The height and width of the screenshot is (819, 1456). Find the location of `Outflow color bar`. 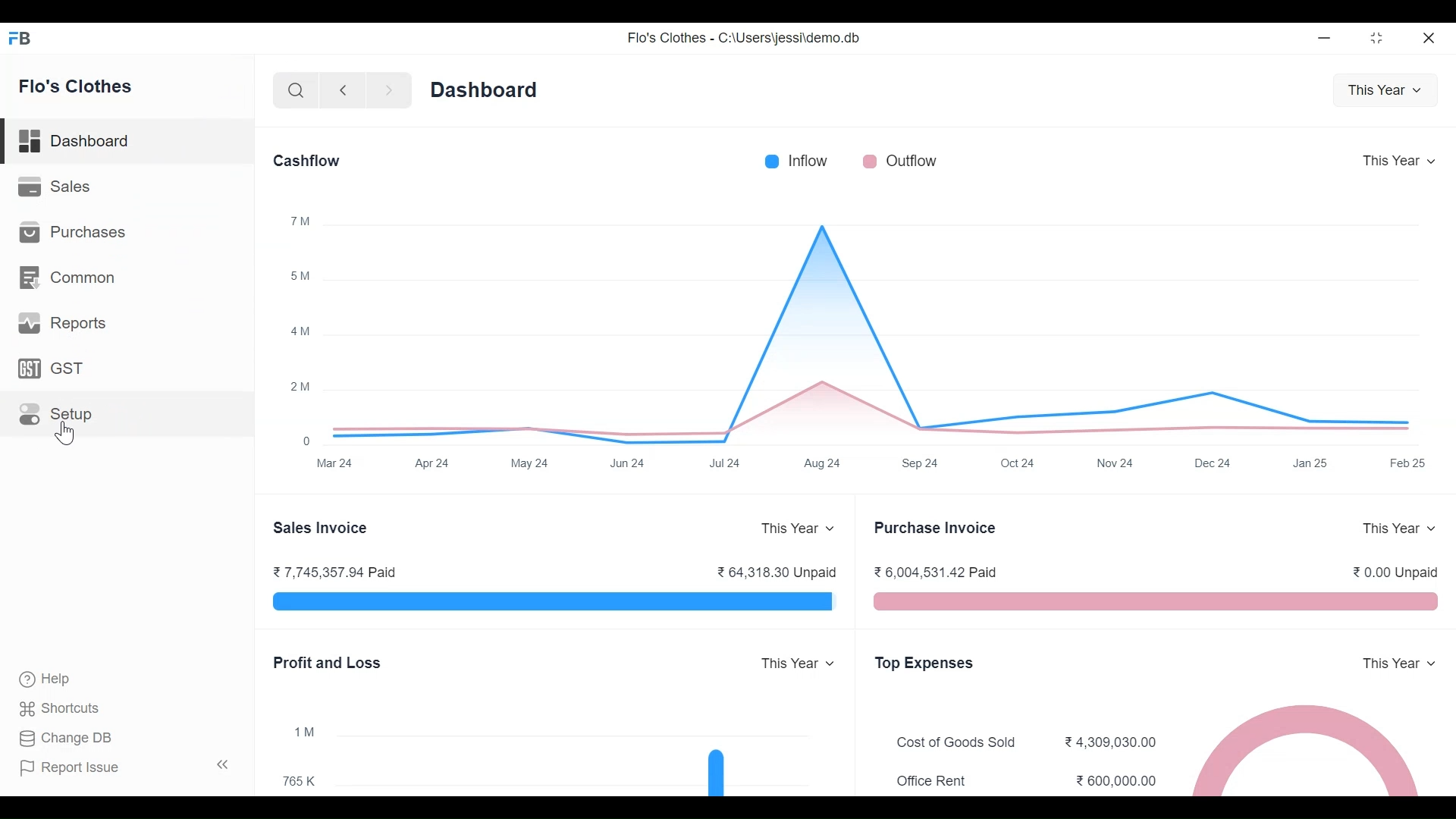

Outflow color bar is located at coordinates (870, 160).